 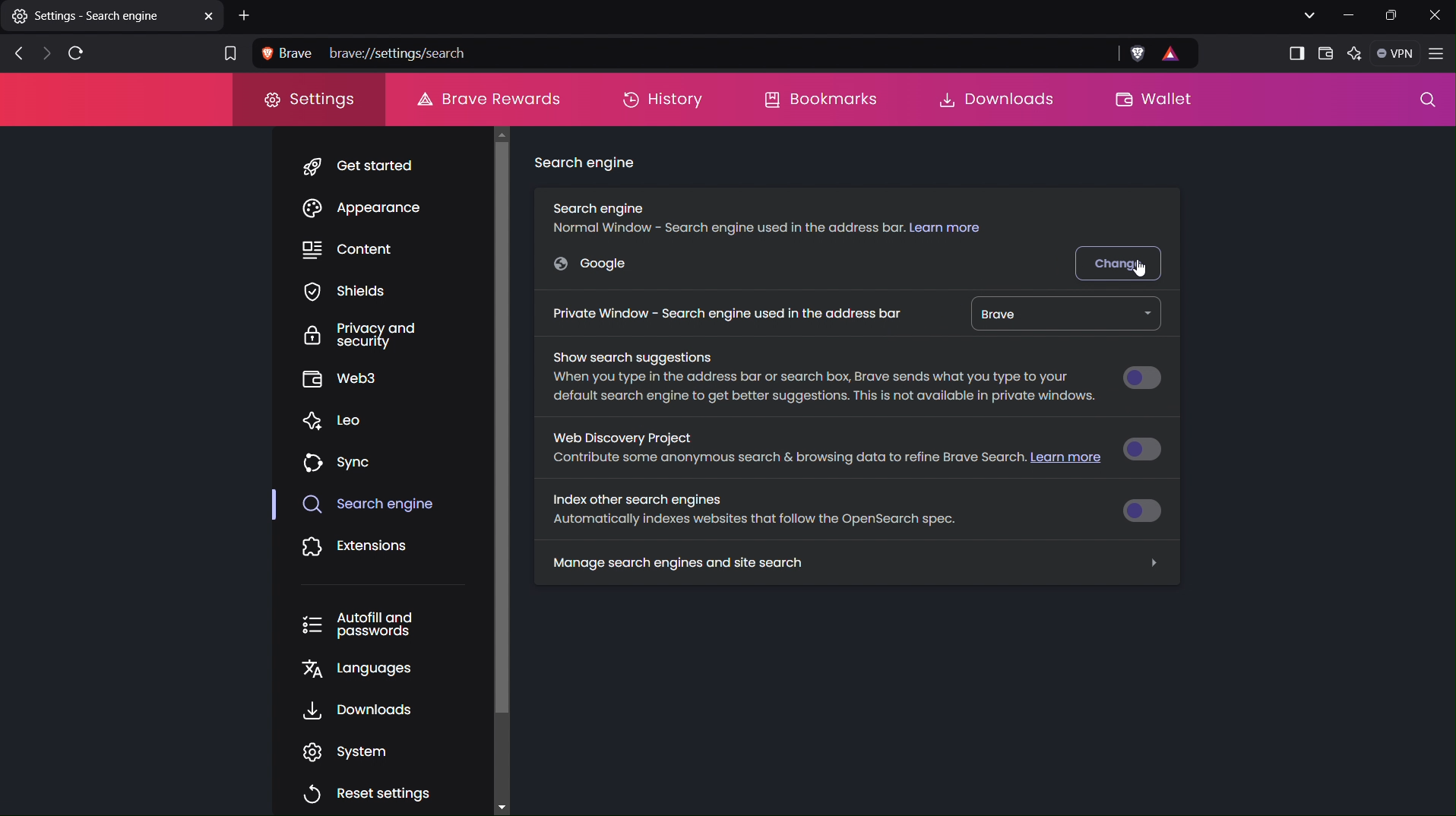 I want to click on Button, so click(x=1142, y=378).